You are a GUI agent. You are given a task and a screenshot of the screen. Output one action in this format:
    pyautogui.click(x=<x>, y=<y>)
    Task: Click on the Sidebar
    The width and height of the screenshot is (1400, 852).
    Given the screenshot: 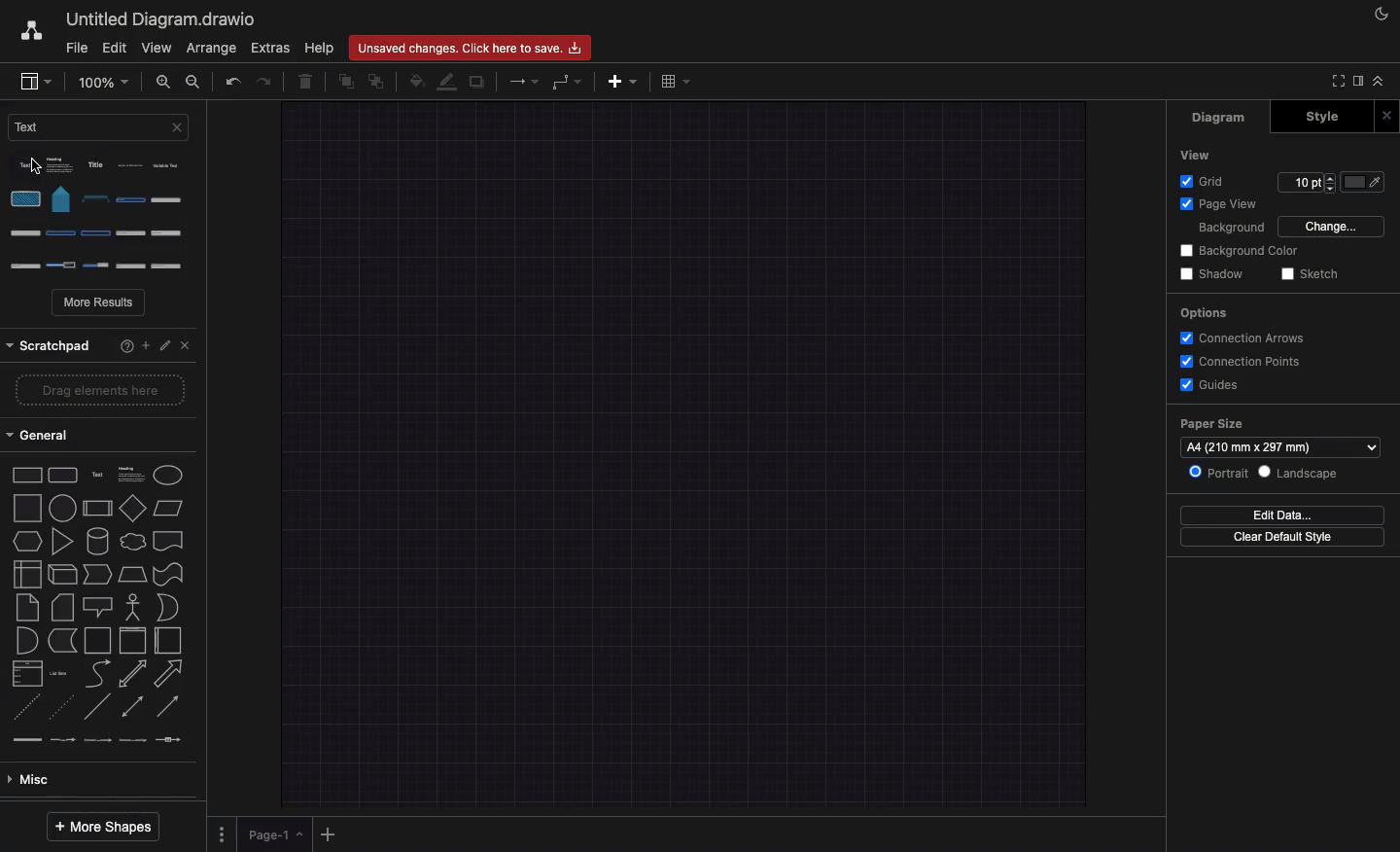 What is the action you would take?
    pyautogui.click(x=35, y=83)
    